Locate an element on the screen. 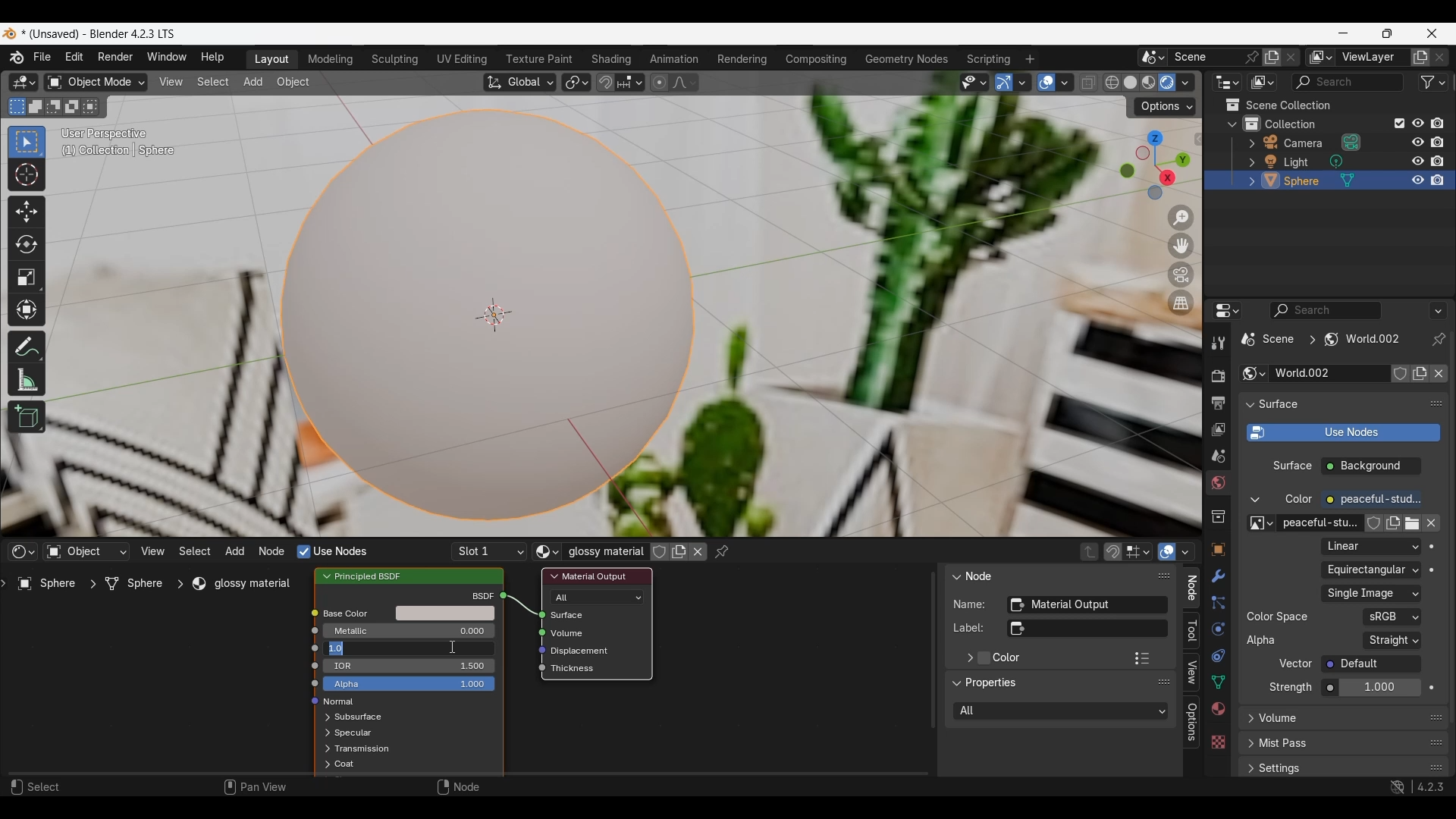  Edit menu is located at coordinates (74, 58).